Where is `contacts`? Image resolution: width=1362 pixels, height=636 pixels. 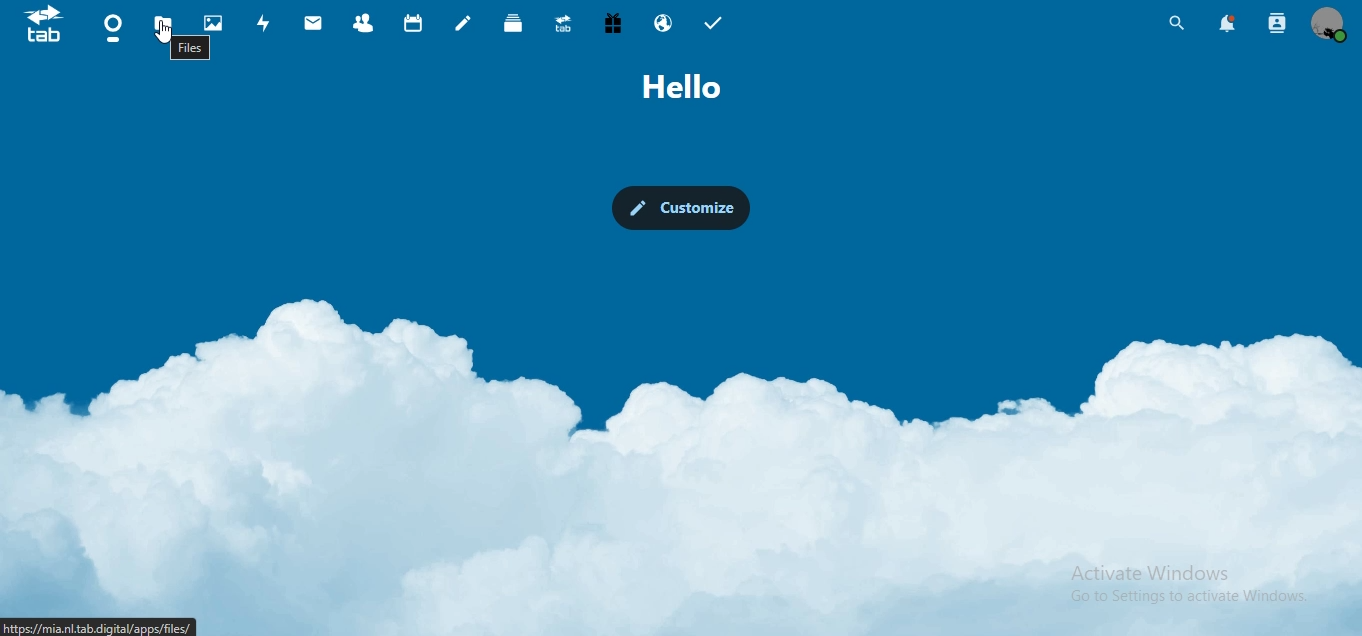 contacts is located at coordinates (369, 25).